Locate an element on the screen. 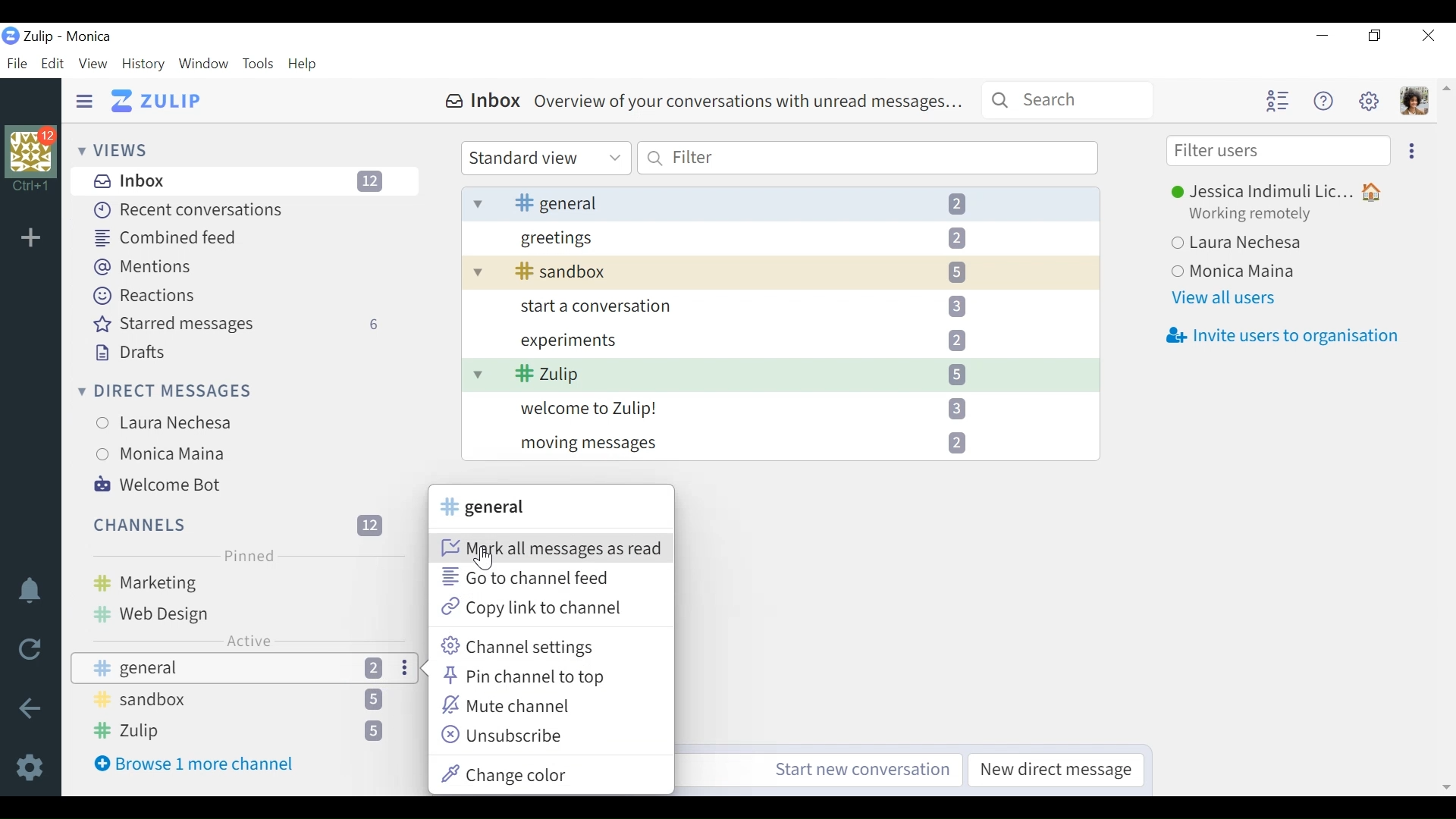  Recent Conversations is located at coordinates (185, 210).